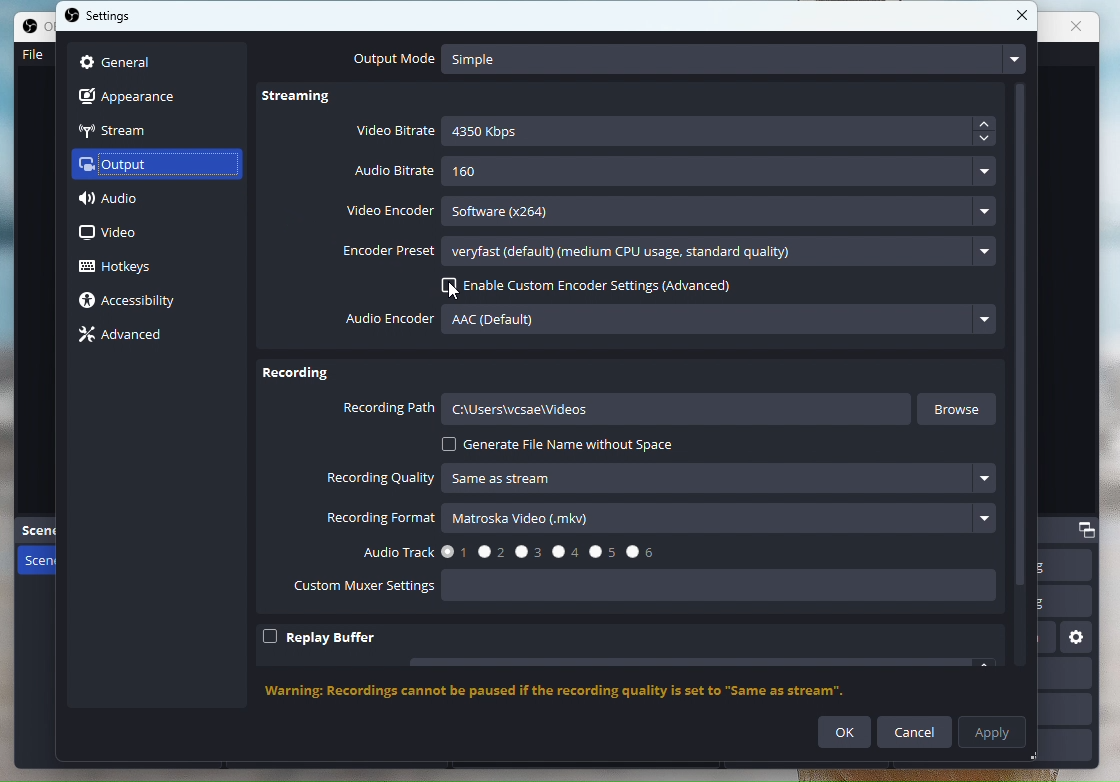 The image size is (1120, 782). Describe the element at coordinates (319, 637) in the screenshot. I see `Replay Buffer` at that location.